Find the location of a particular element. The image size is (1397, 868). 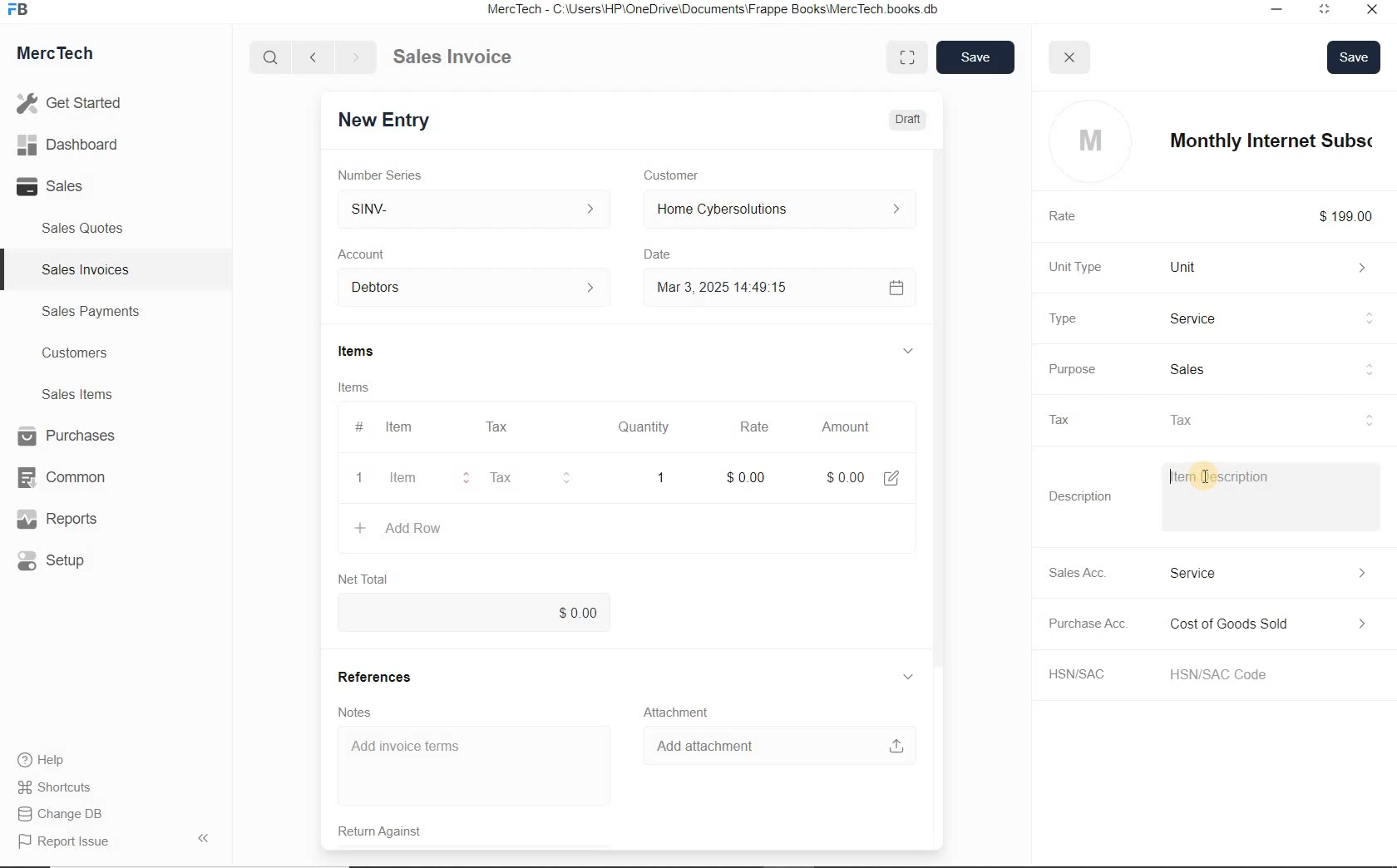

edit is located at coordinates (890, 476).